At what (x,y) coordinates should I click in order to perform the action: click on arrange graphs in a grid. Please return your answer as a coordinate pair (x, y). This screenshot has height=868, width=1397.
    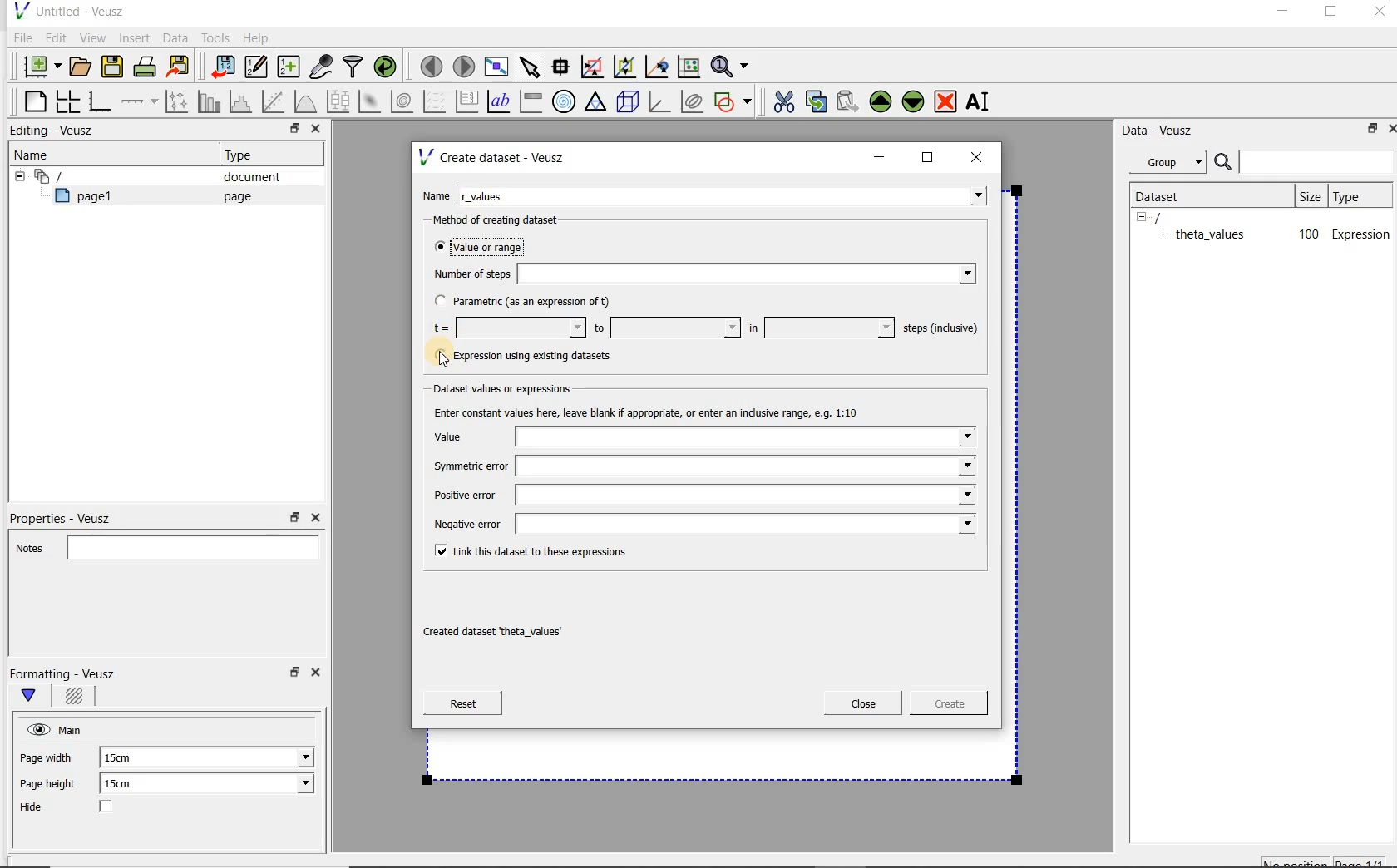
    Looking at the image, I should click on (67, 101).